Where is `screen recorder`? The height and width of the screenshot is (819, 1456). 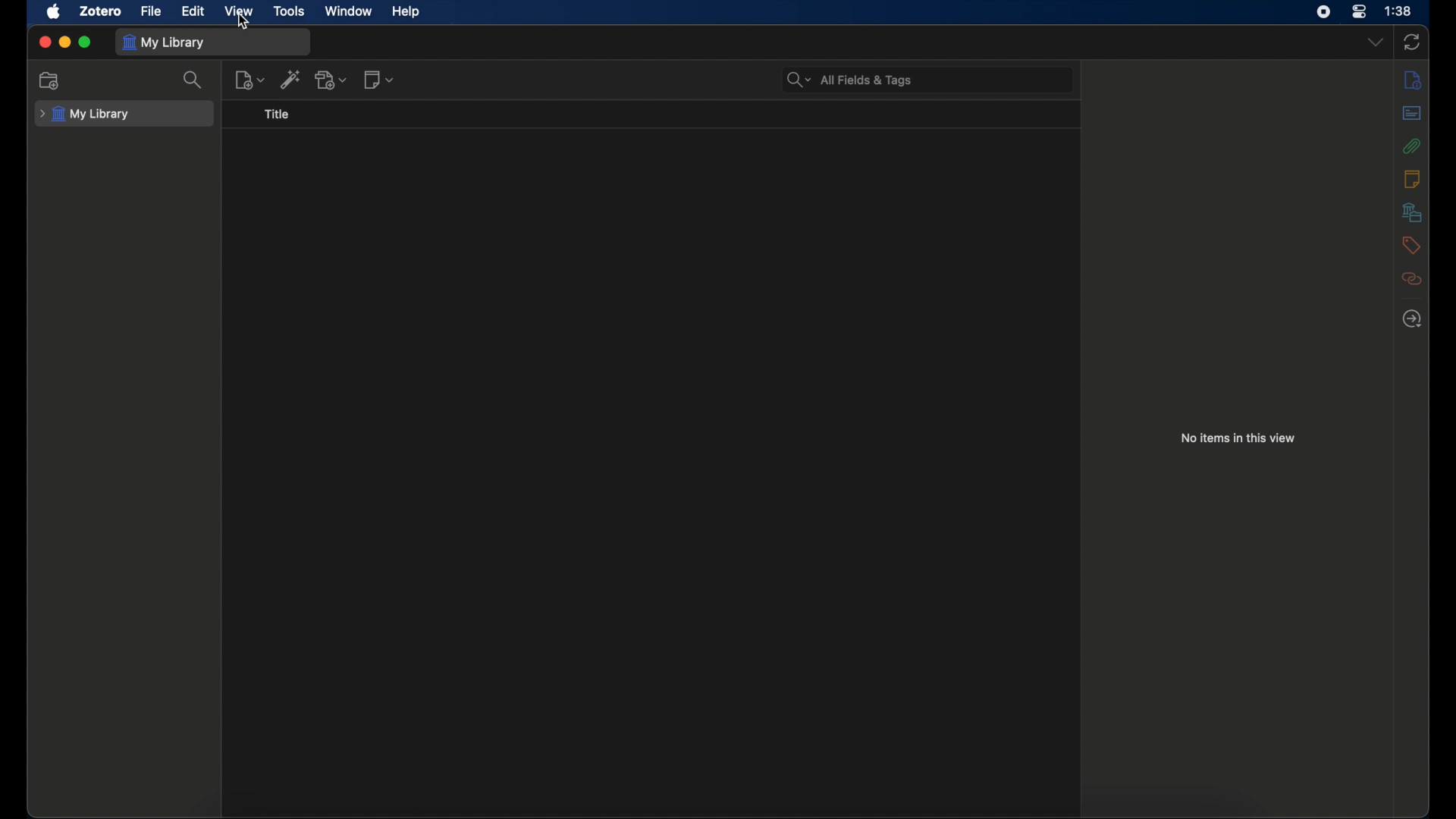
screen recorder is located at coordinates (1323, 12).